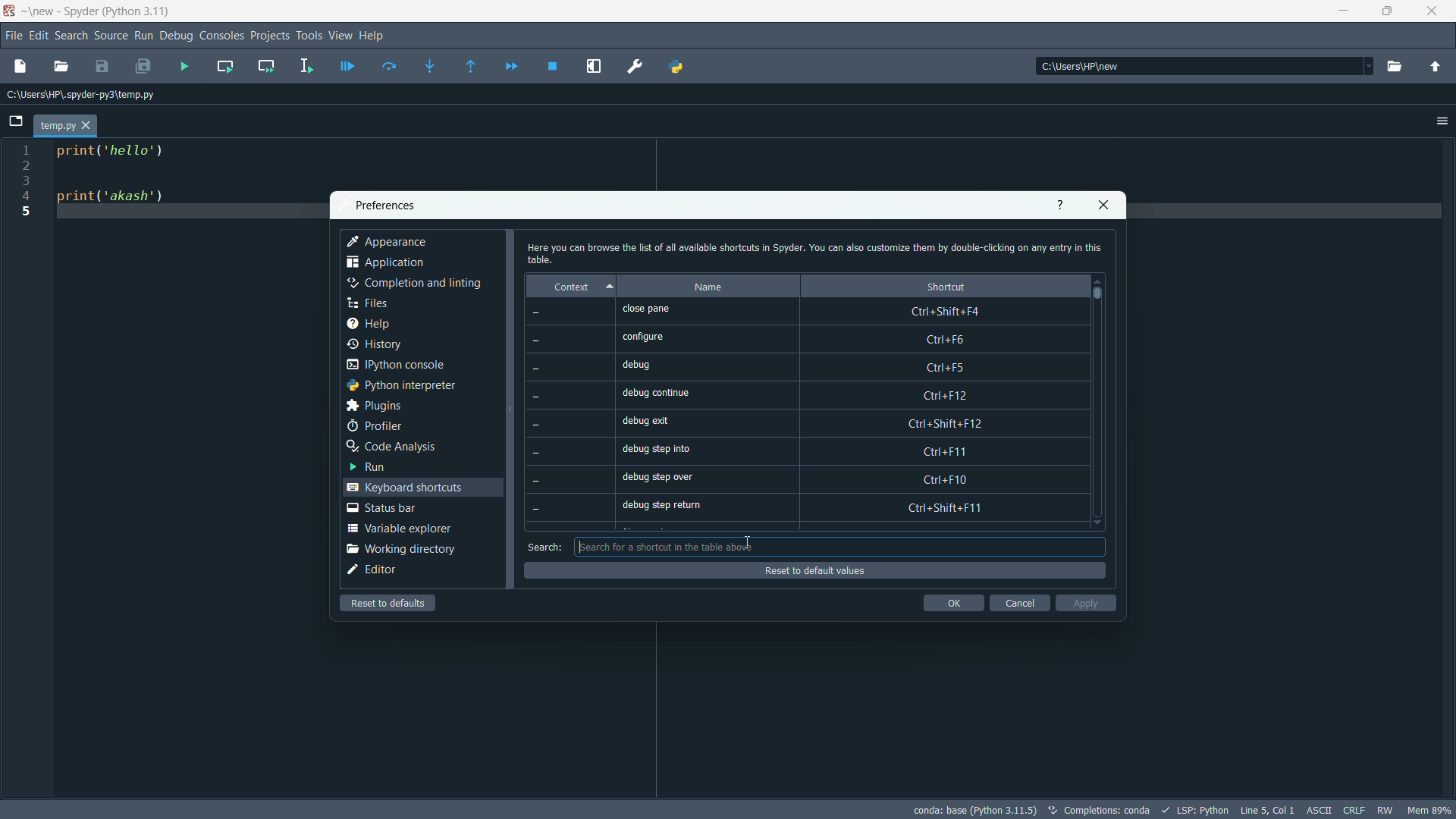 This screenshot has width=1456, height=819. Describe the element at coordinates (798, 340) in the screenshot. I see `-, configure, ctrl+f6` at that location.